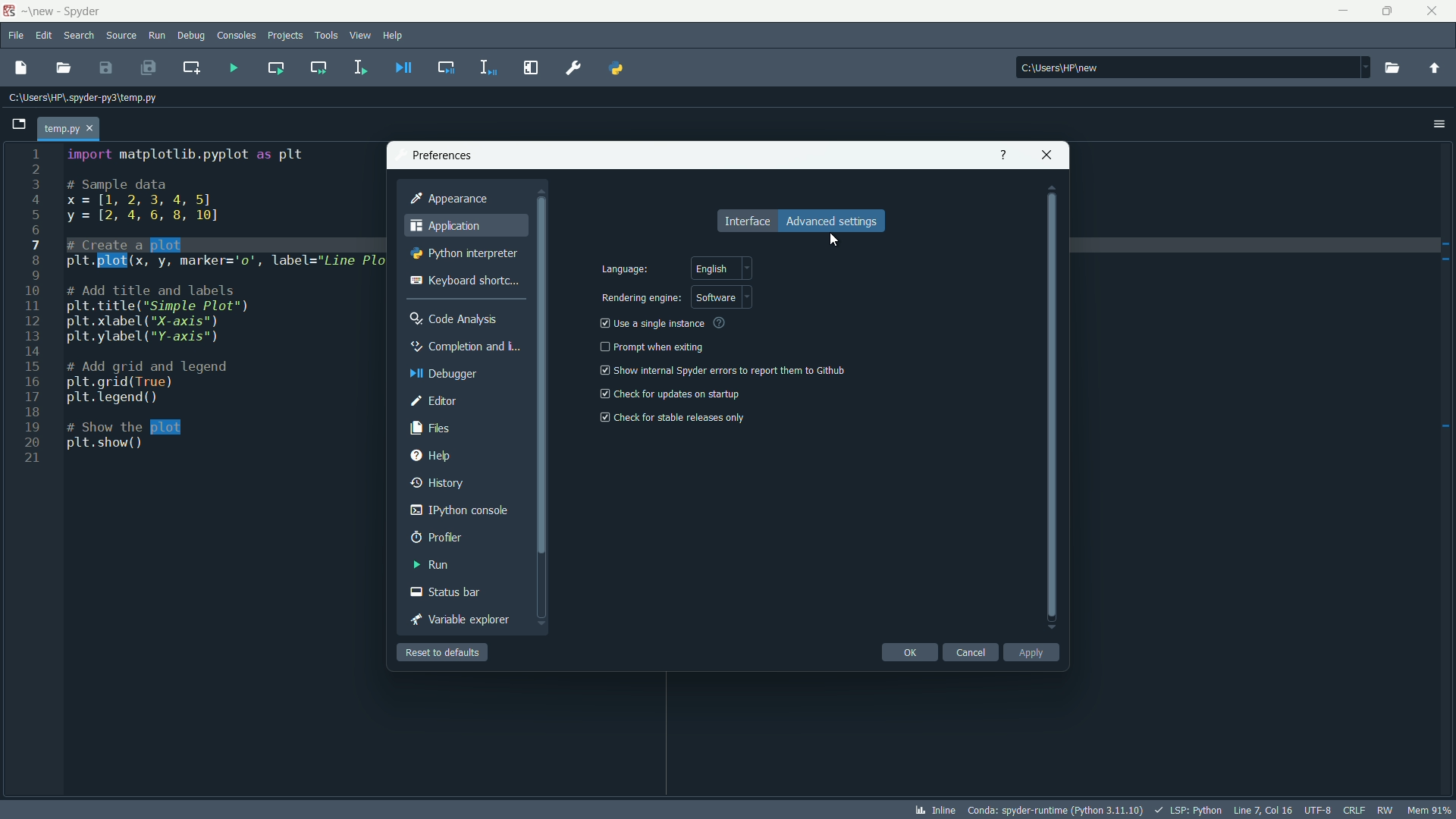 The height and width of the screenshot is (819, 1456). I want to click on save all files, so click(149, 67).